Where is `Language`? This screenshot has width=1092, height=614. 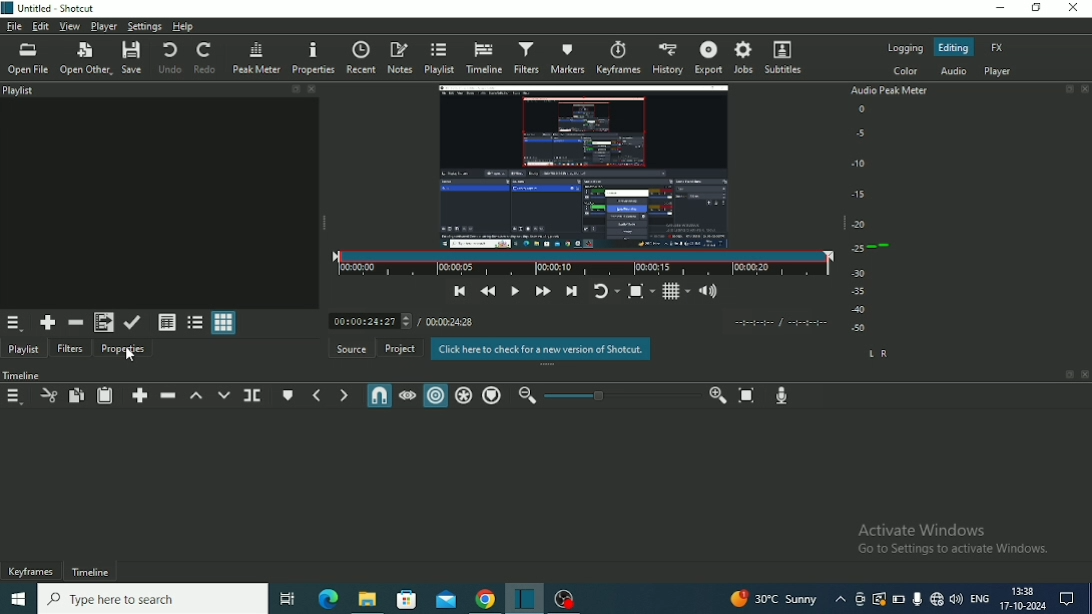
Language is located at coordinates (979, 597).